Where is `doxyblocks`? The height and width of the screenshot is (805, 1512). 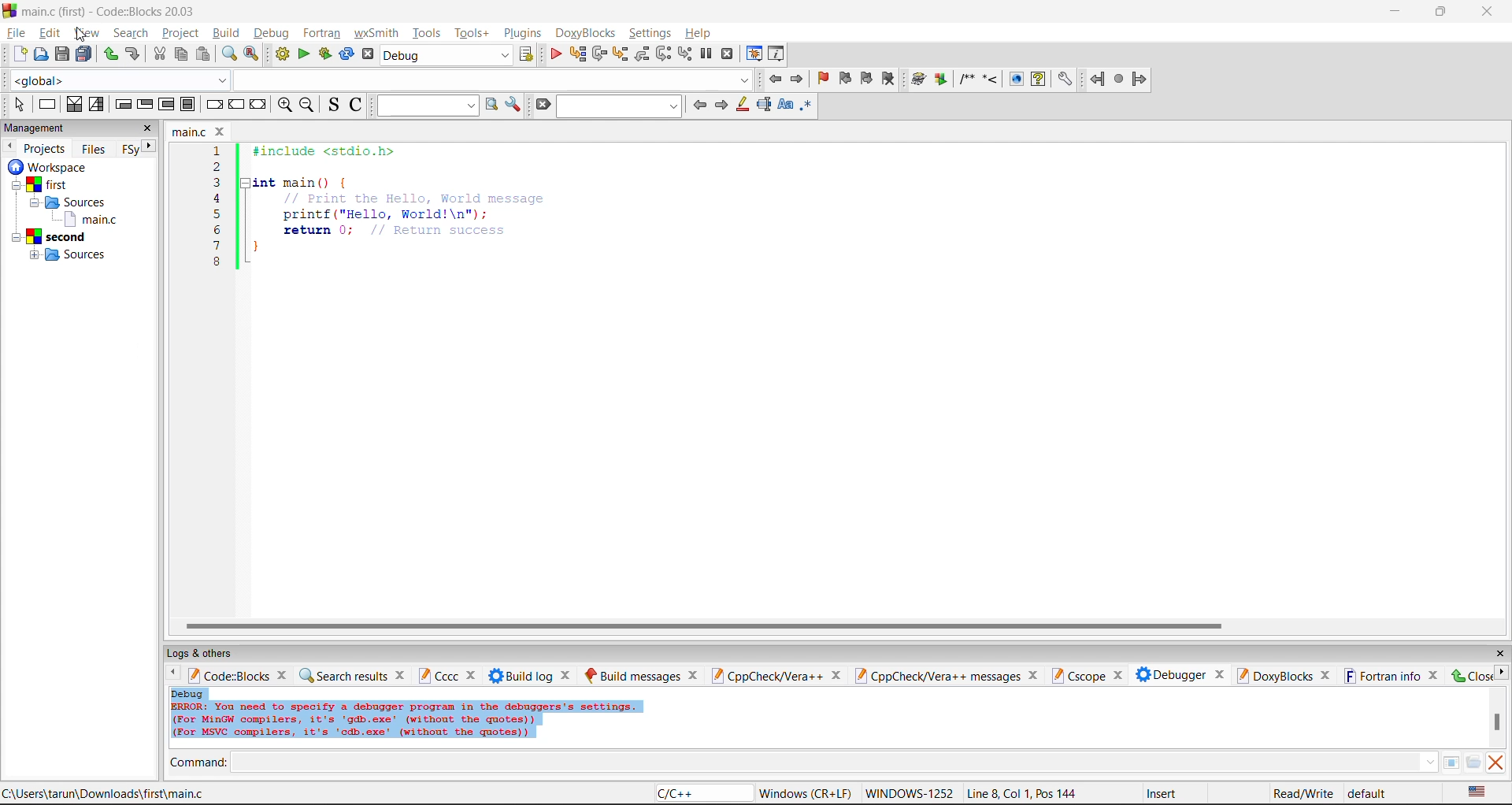 doxyblocks is located at coordinates (1288, 674).